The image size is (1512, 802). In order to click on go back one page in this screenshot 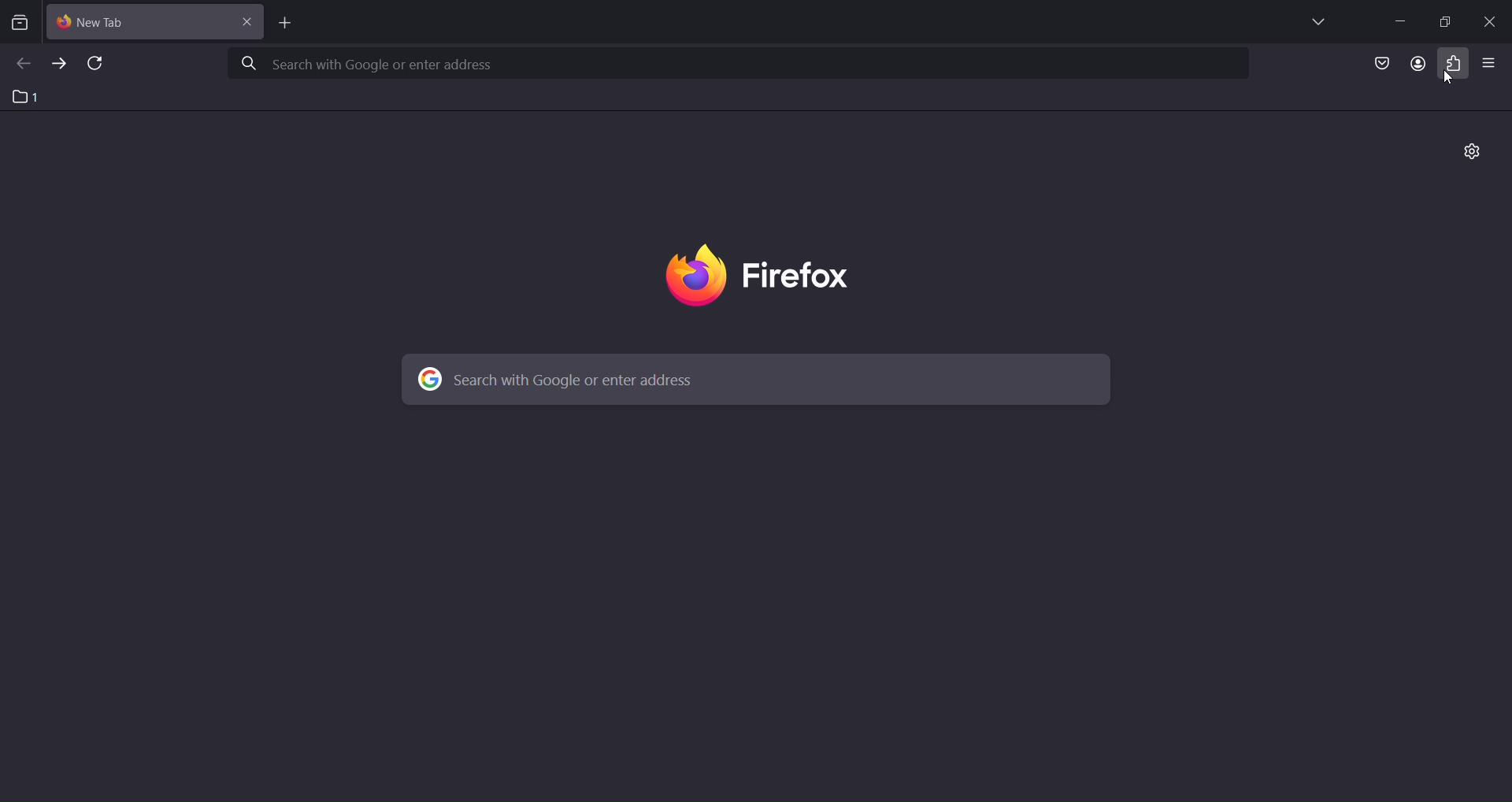, I will do `click(24, 61)`.